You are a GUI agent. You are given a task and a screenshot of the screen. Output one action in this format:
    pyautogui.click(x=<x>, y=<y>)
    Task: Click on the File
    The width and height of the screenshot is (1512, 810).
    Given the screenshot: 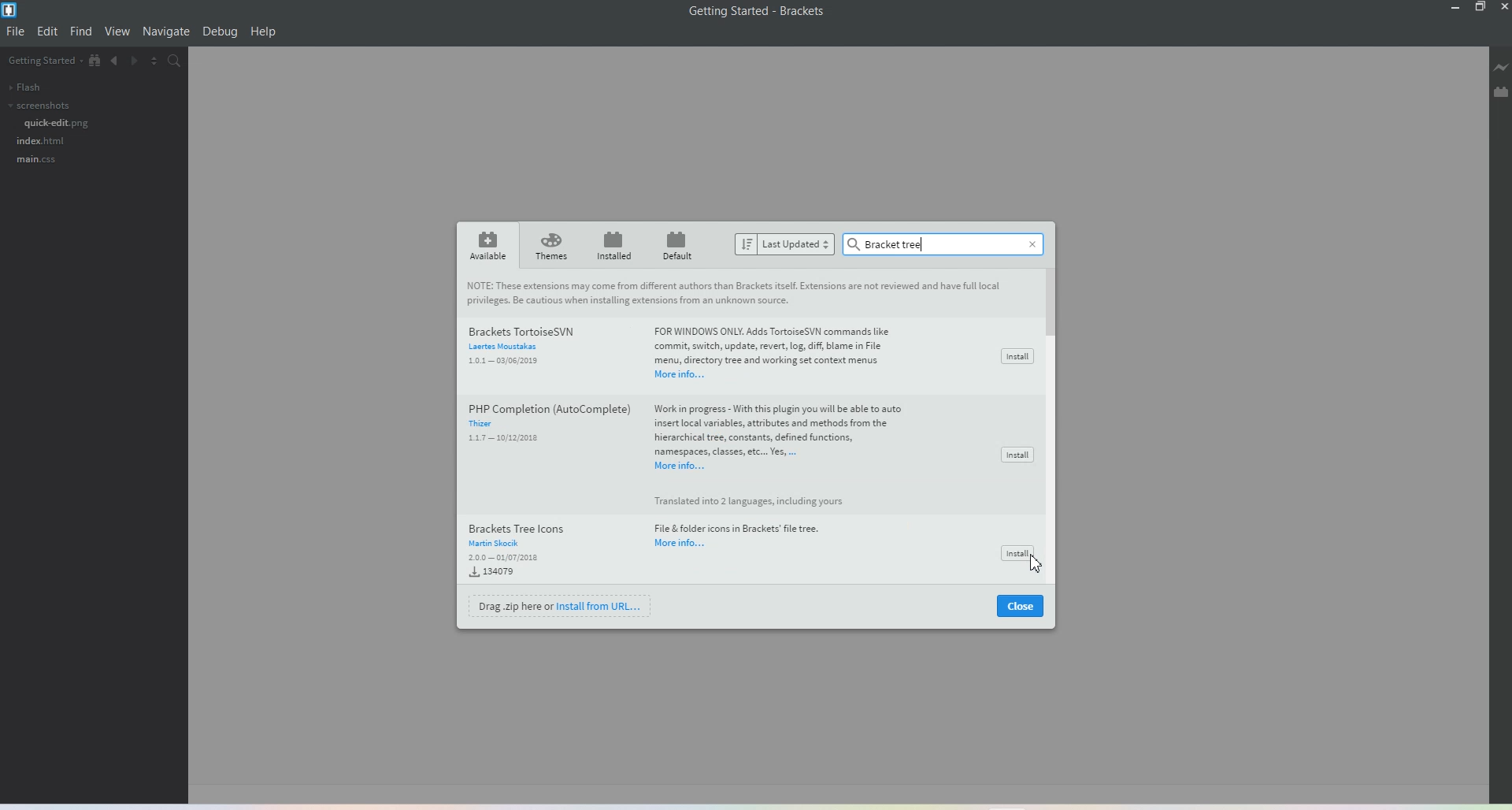 What is the action you would take?
    pyautogui.click(x=17, y=32)
    